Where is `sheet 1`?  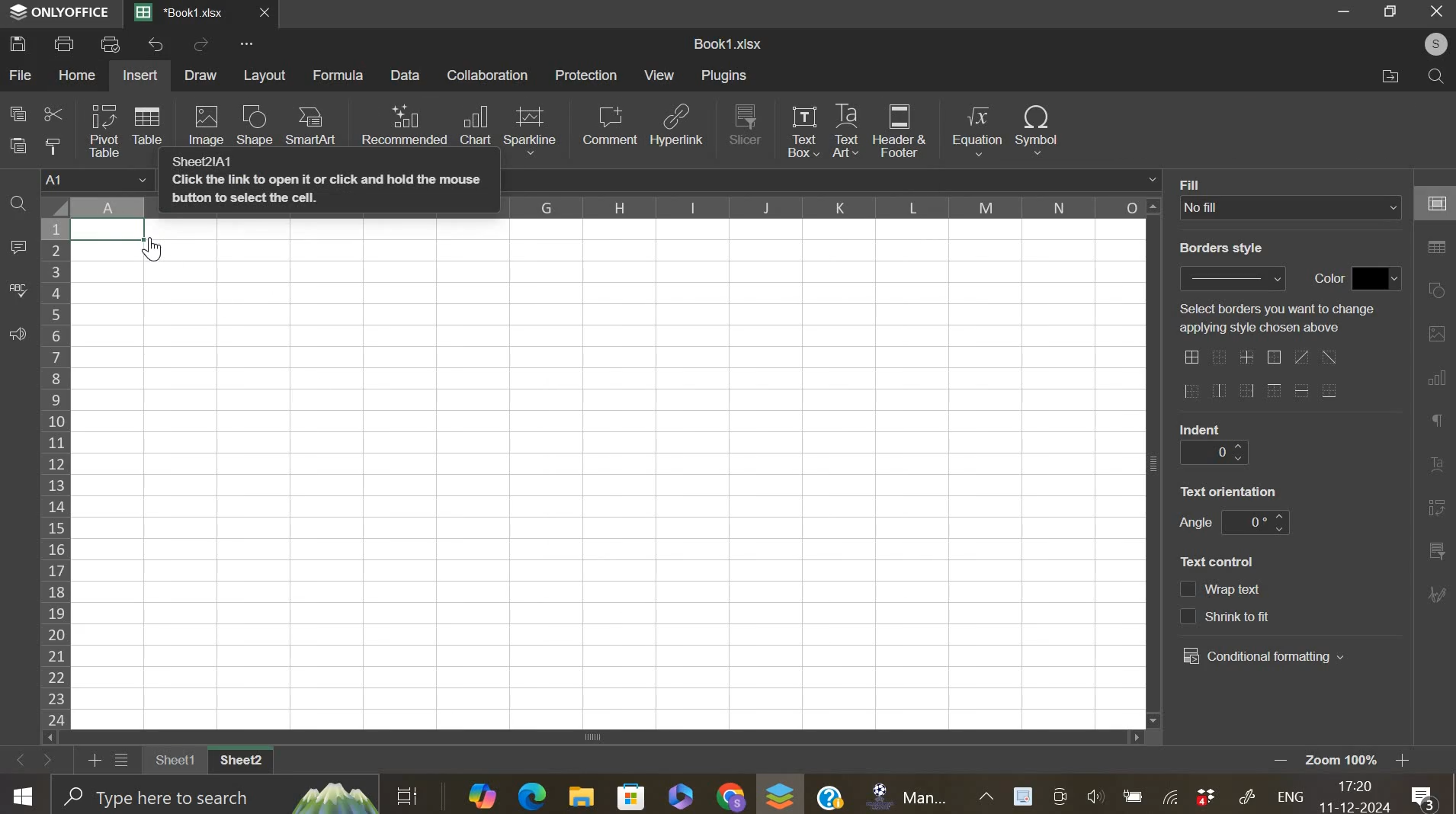
sheet 1 is located at coordinates (172, 761).